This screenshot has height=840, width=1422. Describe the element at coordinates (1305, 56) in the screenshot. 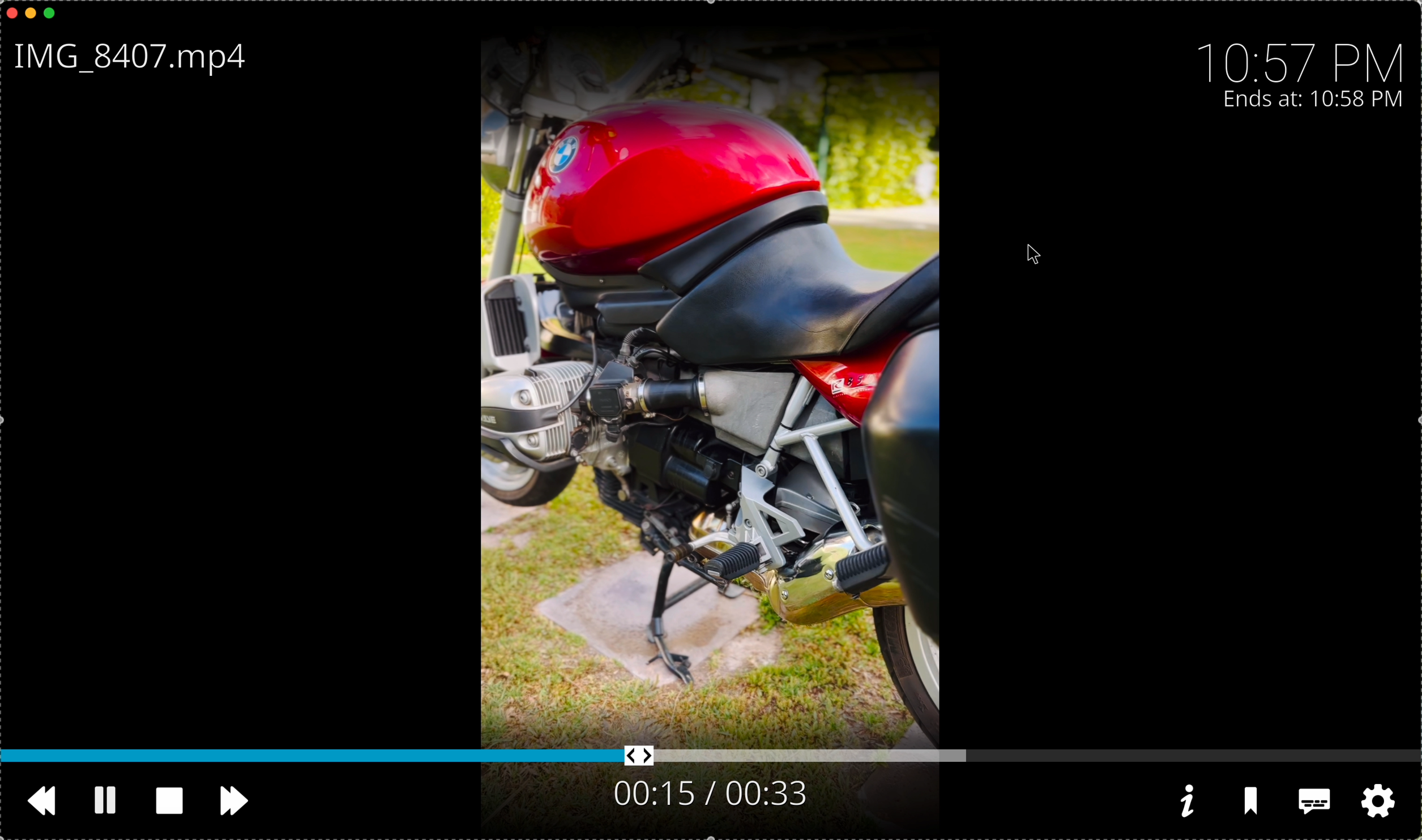

I see `10:57 PM` at that location.